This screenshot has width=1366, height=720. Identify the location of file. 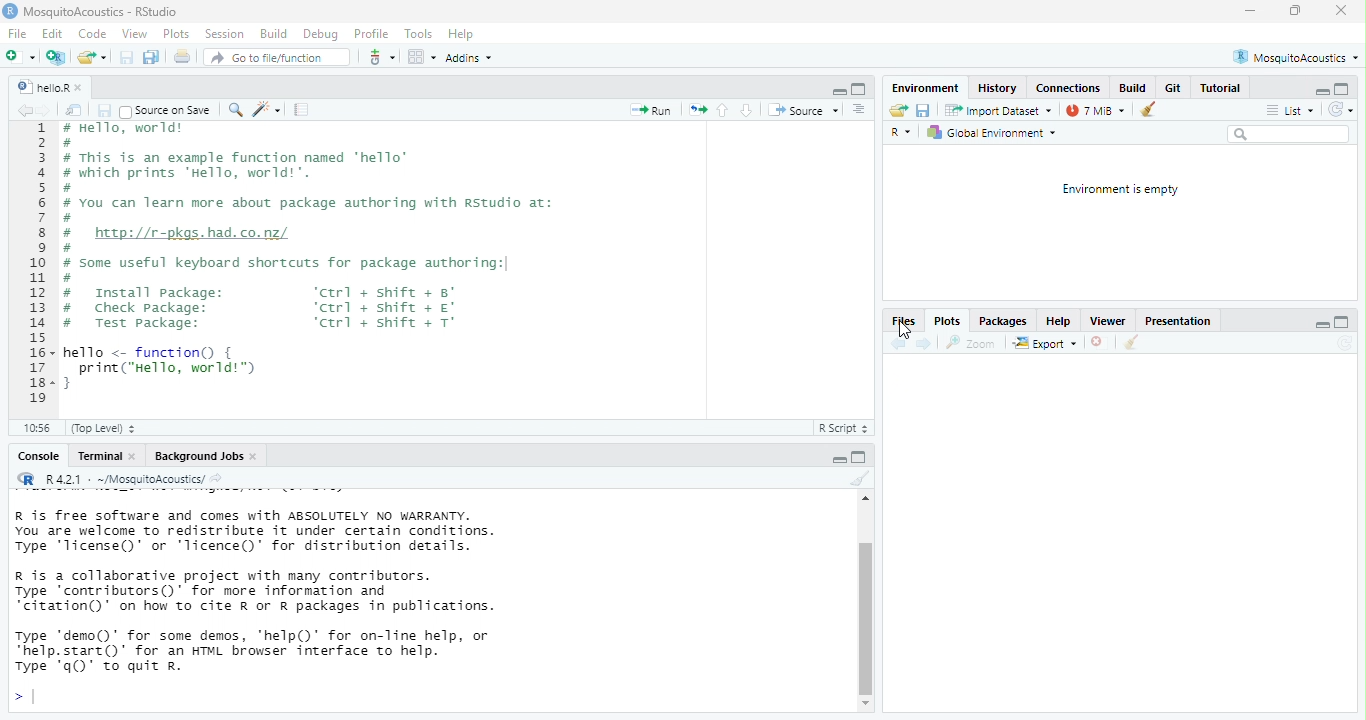
(16, 34).